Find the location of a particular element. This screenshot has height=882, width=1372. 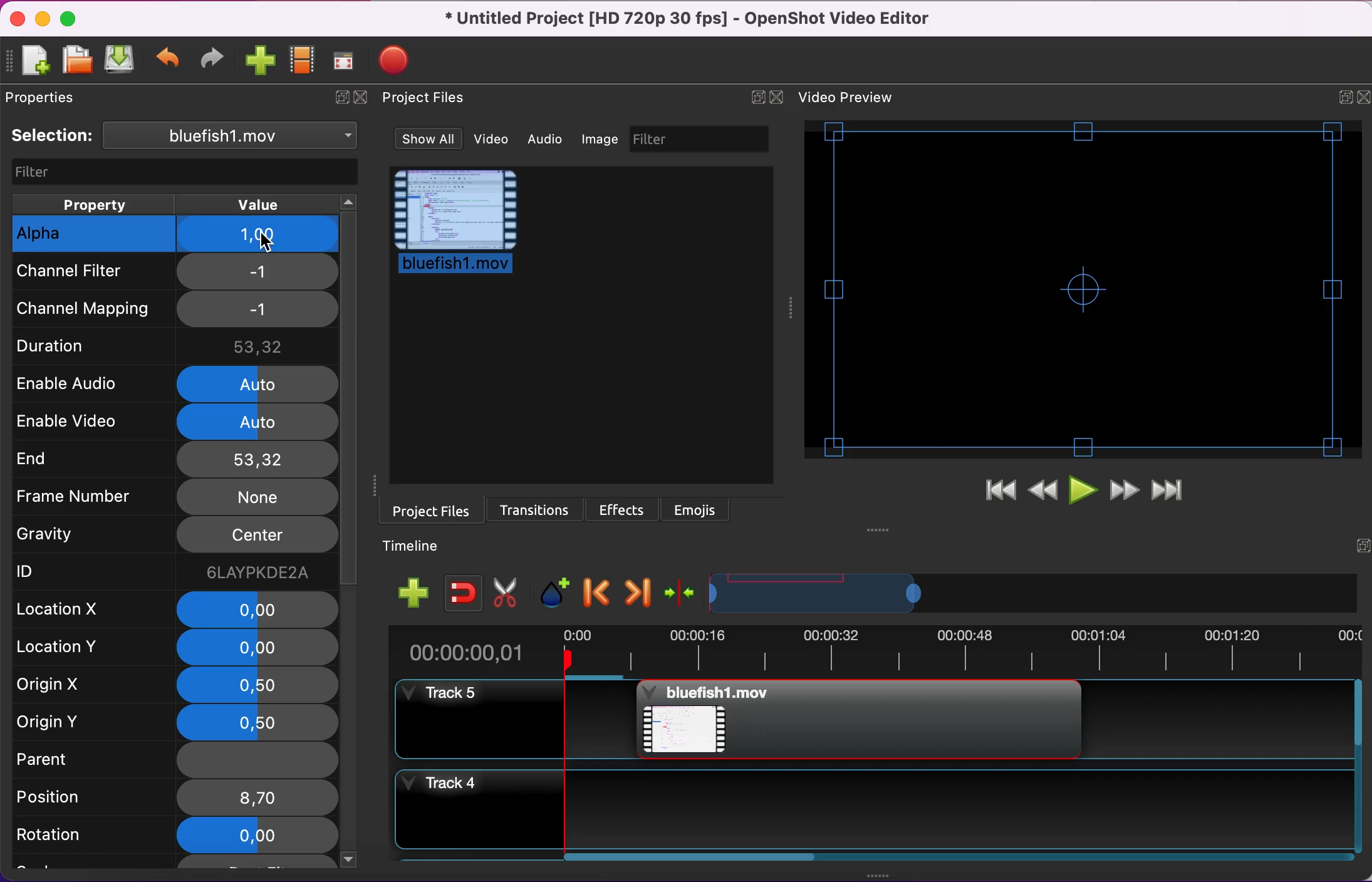

audio is located at coordinates (551, 140).